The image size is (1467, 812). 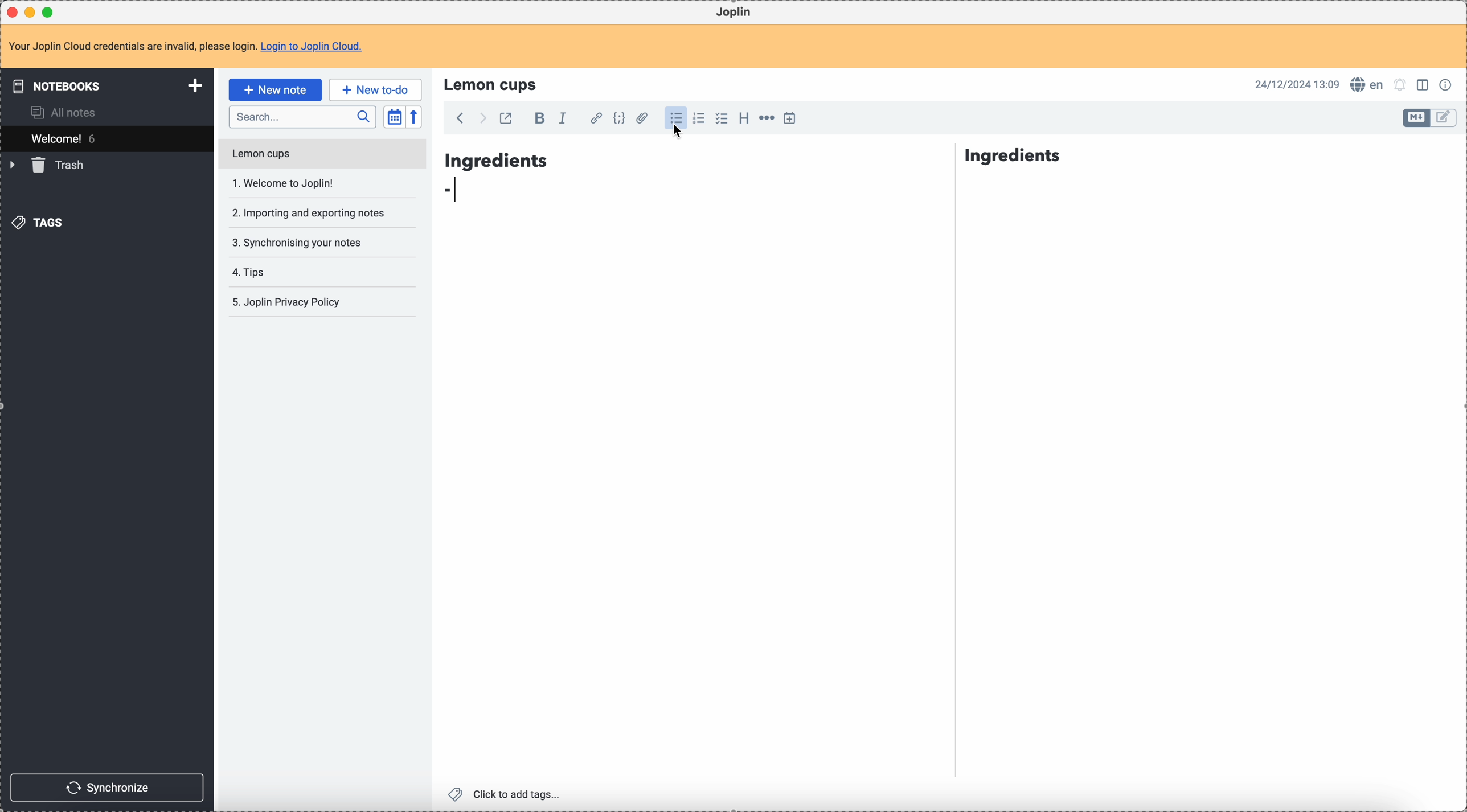 I want to click on set notifications, so click(x=1400, y=84).